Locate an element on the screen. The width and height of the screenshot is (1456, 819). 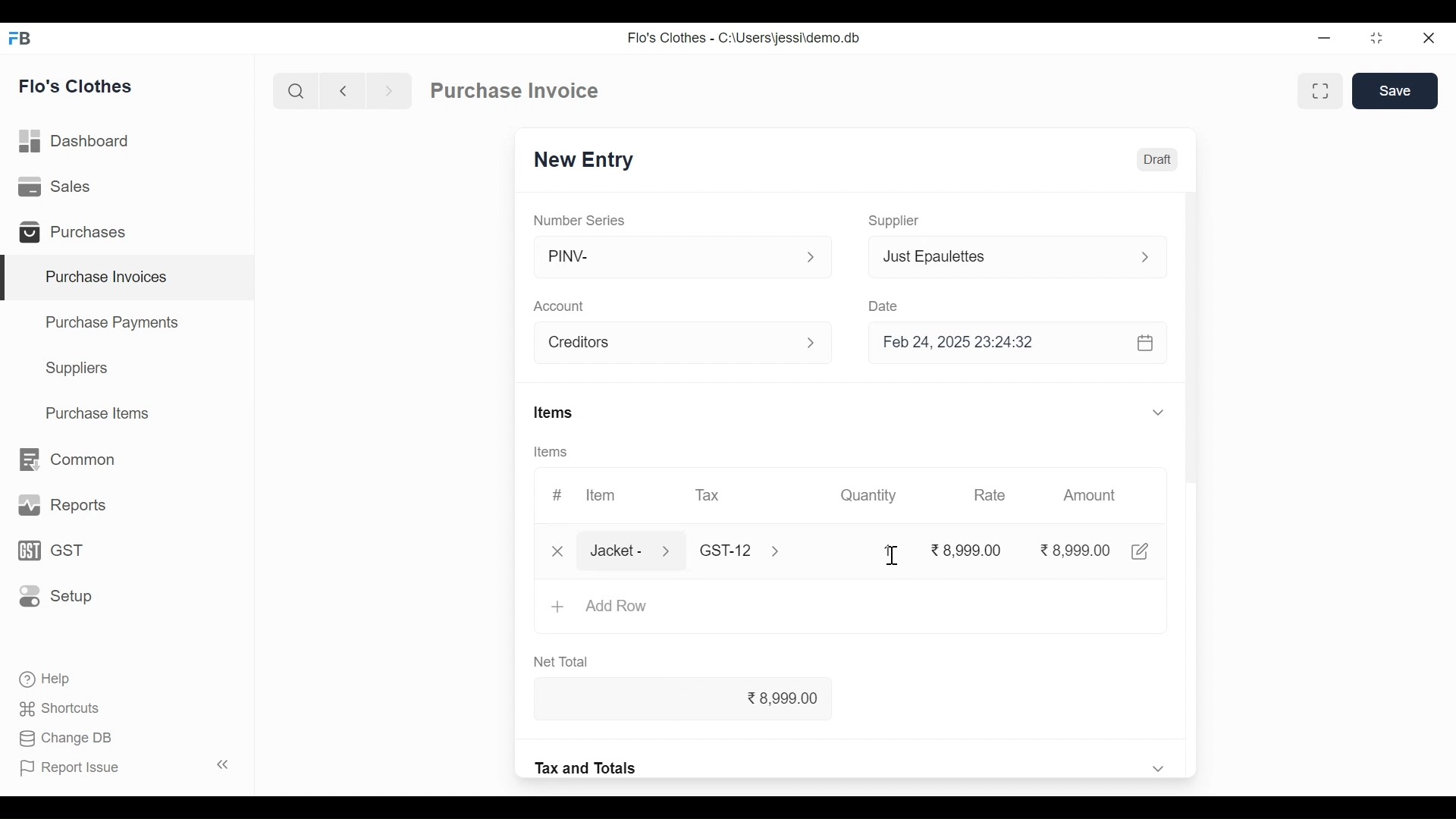
Account is located at coordinates (669, 342).